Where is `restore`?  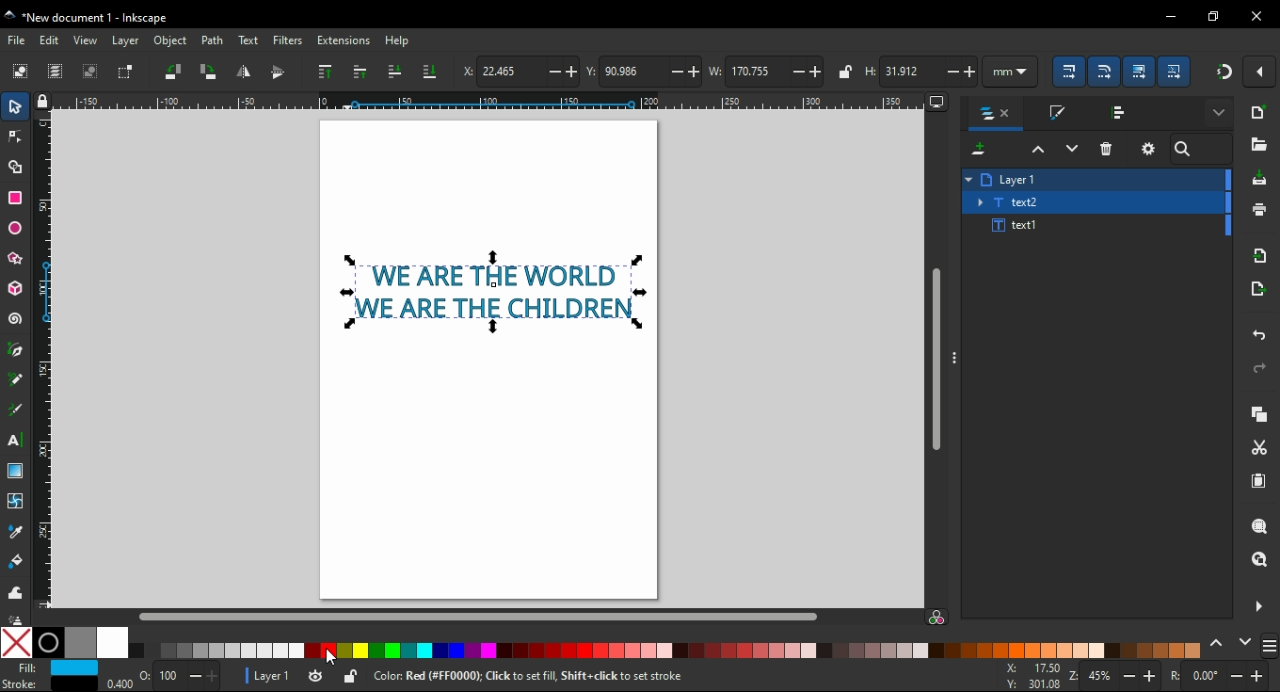
restore is located at coordinates (1211, 16).